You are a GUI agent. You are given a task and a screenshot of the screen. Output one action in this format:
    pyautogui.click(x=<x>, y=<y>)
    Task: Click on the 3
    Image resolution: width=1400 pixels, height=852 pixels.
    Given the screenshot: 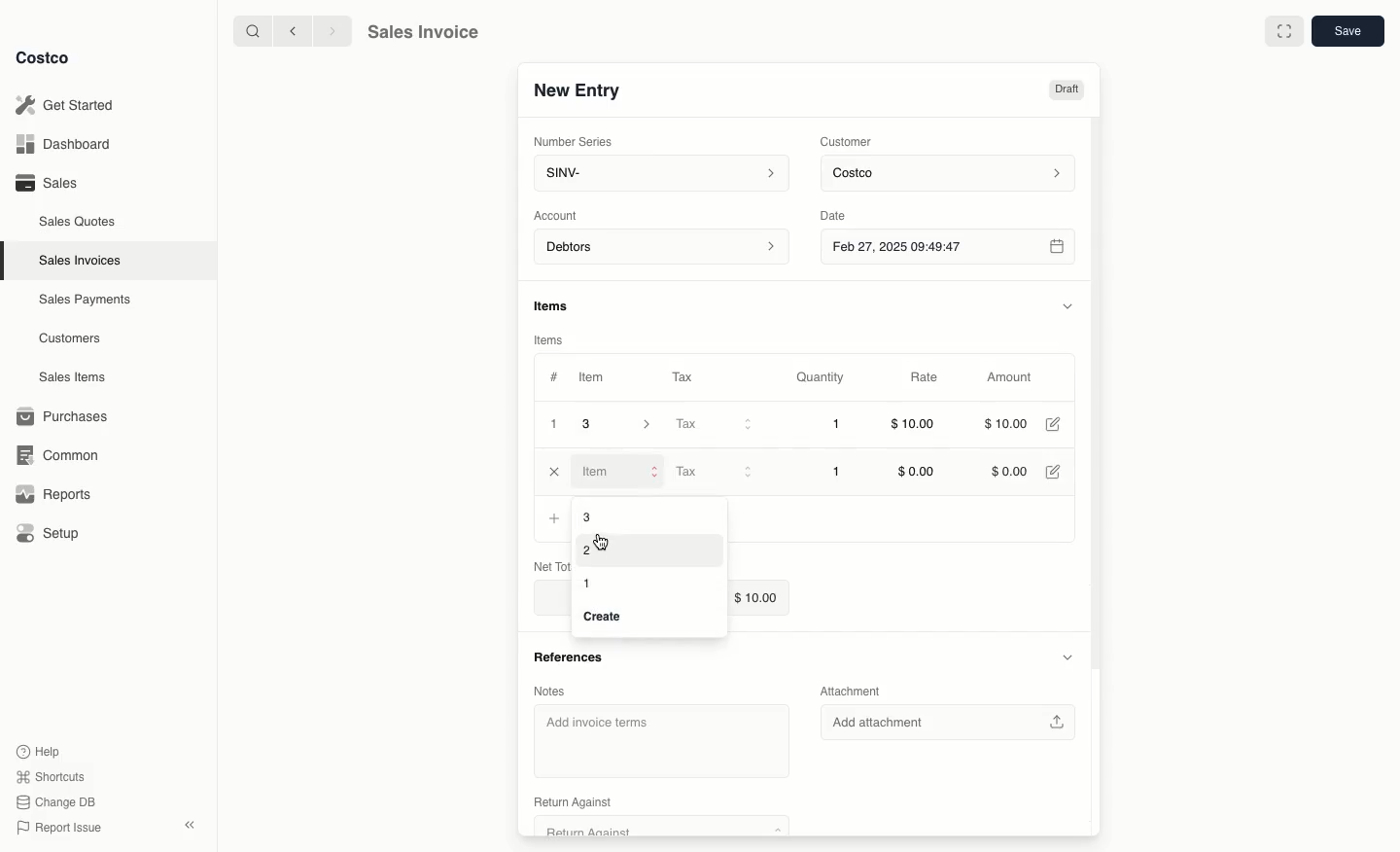 What is the action you would take?
    pyautogui.click(x=587, y=515)
    